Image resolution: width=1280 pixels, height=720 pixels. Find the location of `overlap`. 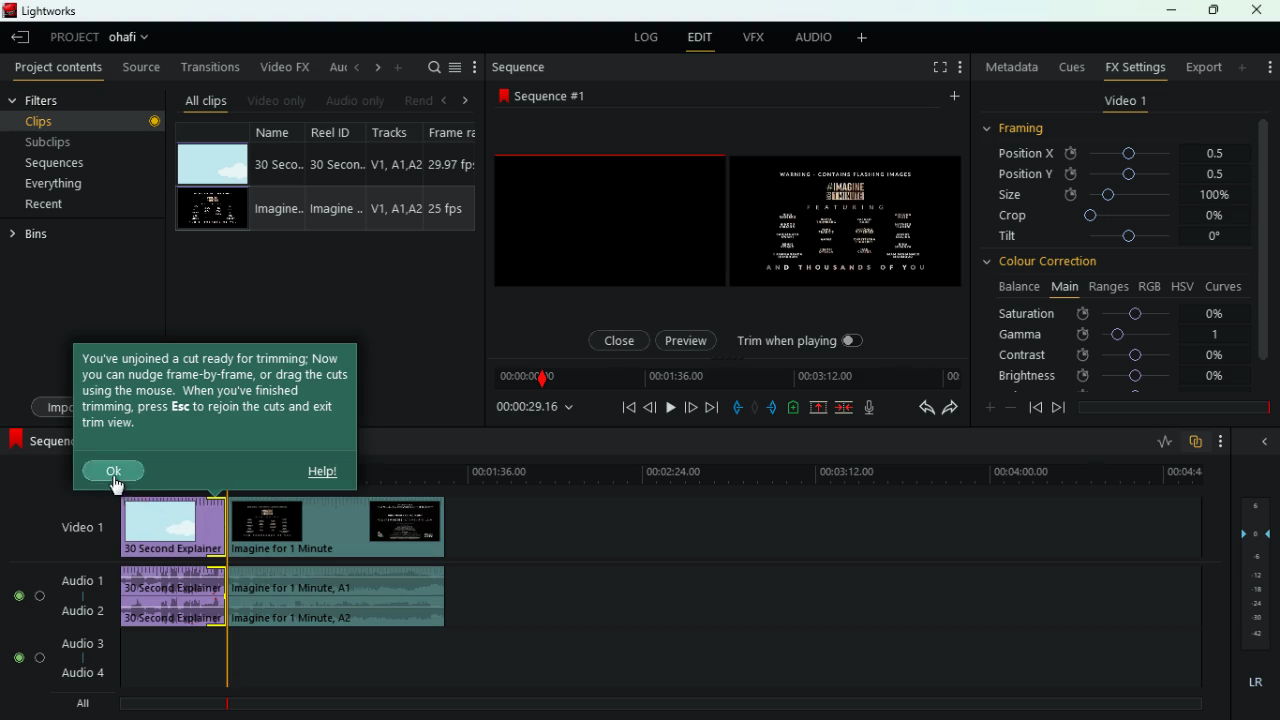

overlap is located at coordinates (1198, 442).